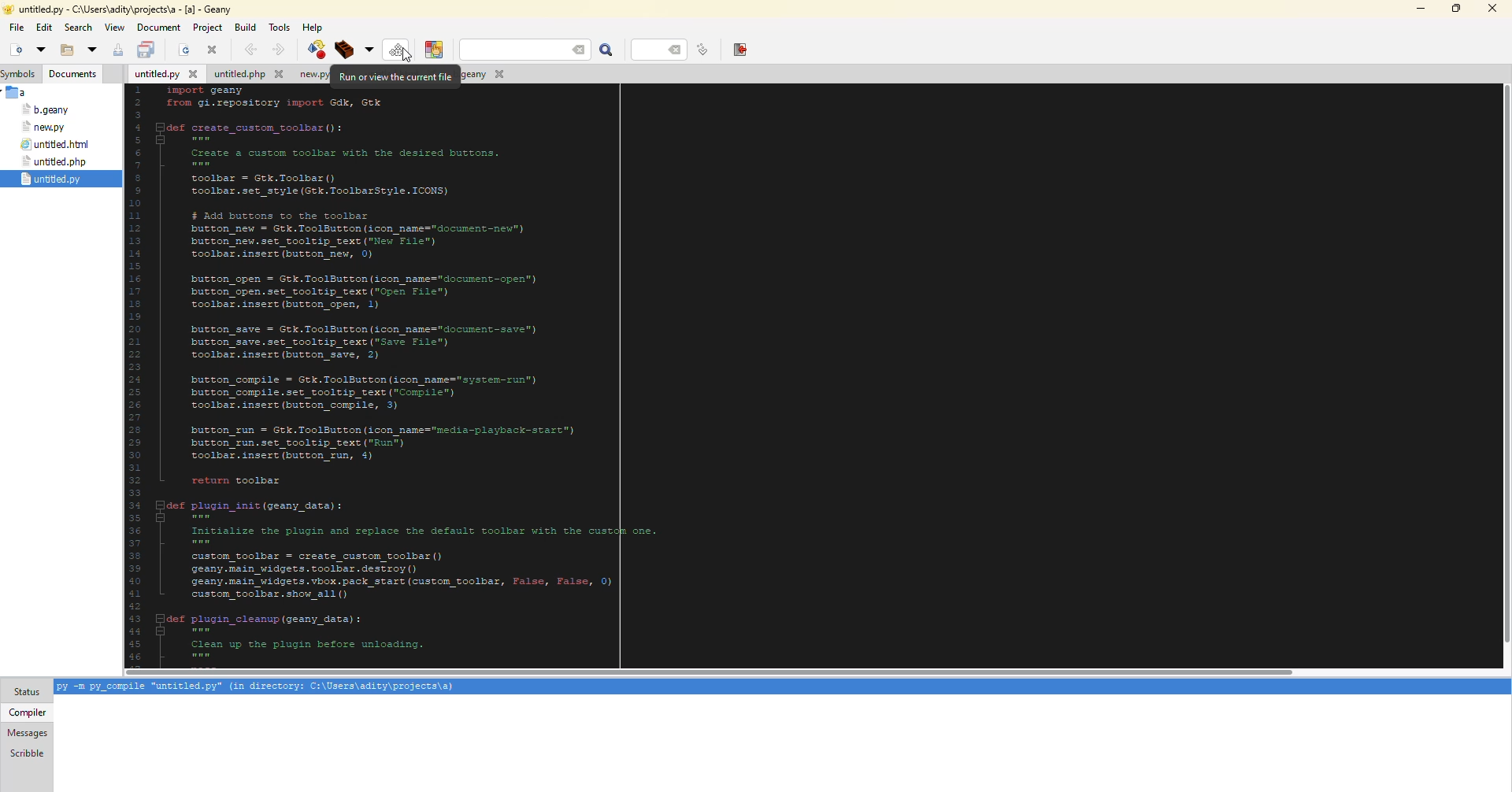 The image size is (1512, 792). What do you see at coordinates (264, 687) in the screenshot?
I see `info` at bounding box center [264, 687].